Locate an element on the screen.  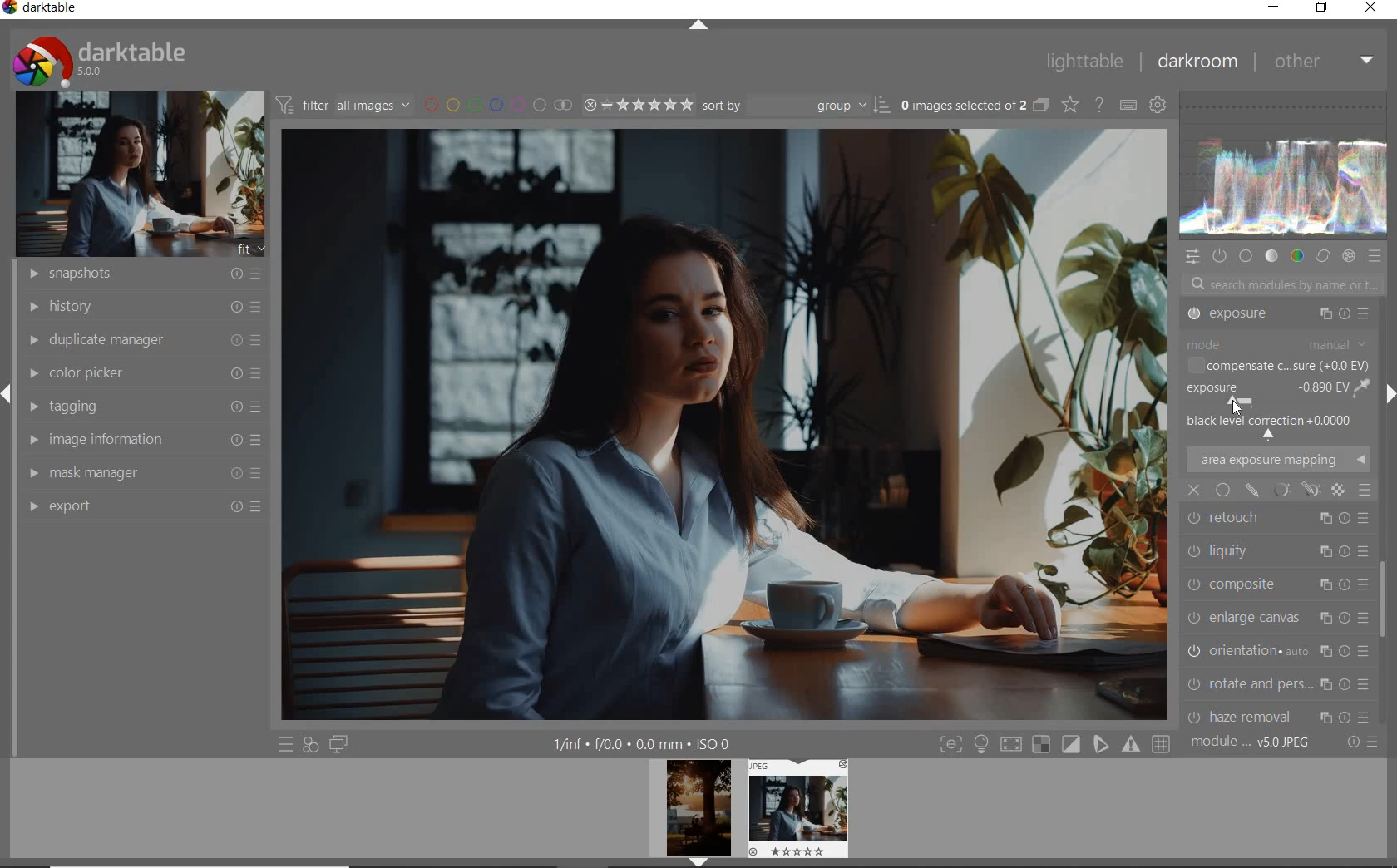
FILTER IMAGE is located at coordinates (339, 105).